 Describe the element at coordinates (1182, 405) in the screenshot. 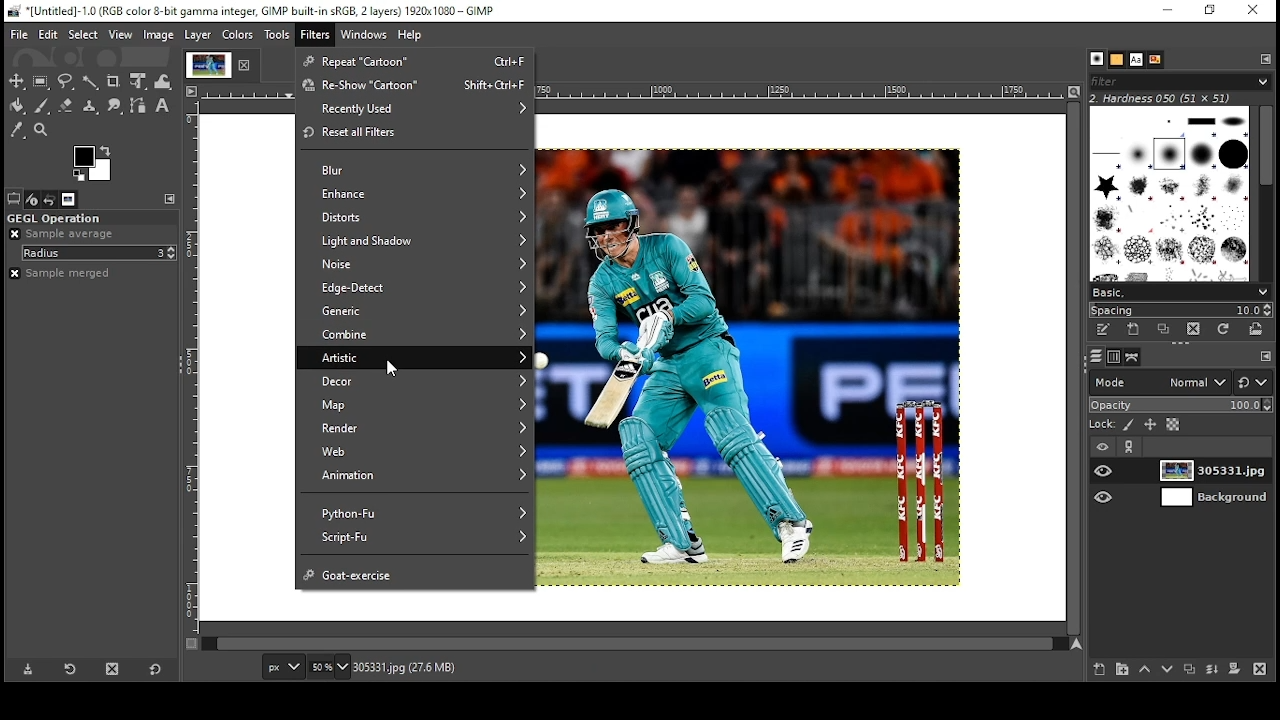

I see `opacity` at that location.